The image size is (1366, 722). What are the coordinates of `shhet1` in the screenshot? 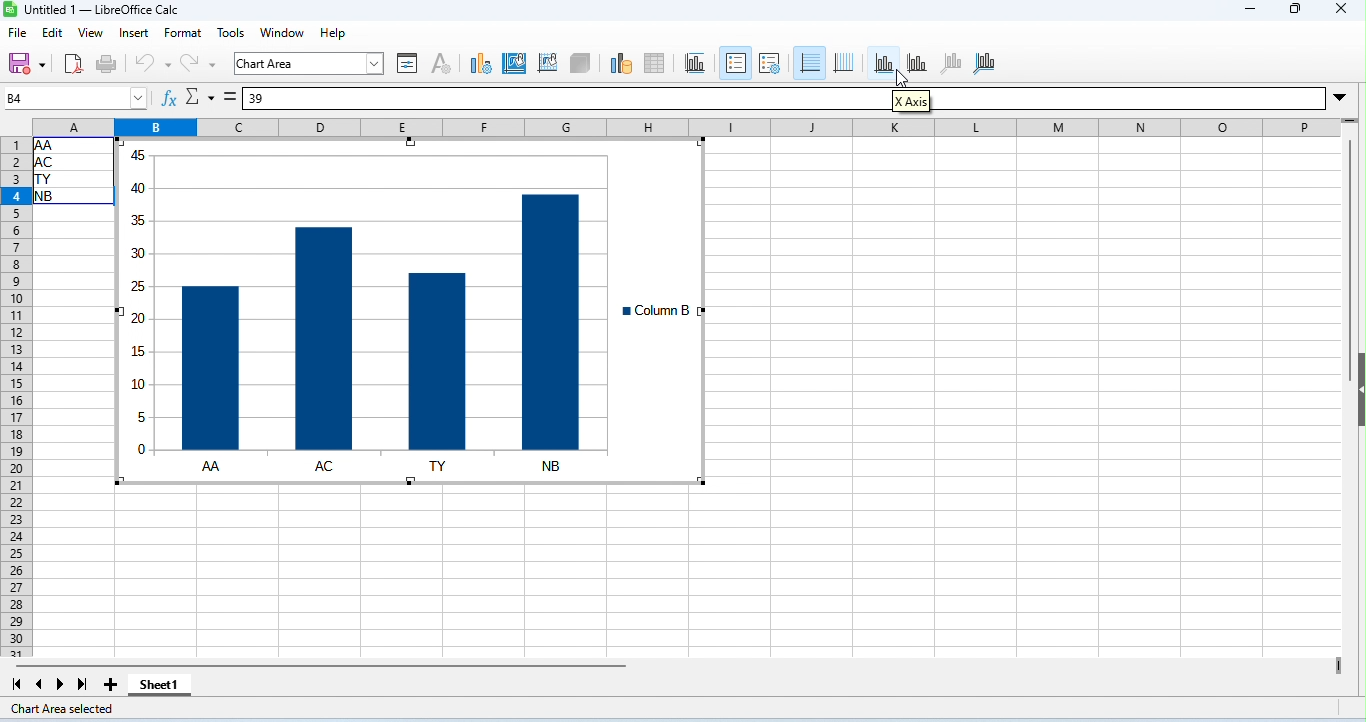 It's located at (159, 687).